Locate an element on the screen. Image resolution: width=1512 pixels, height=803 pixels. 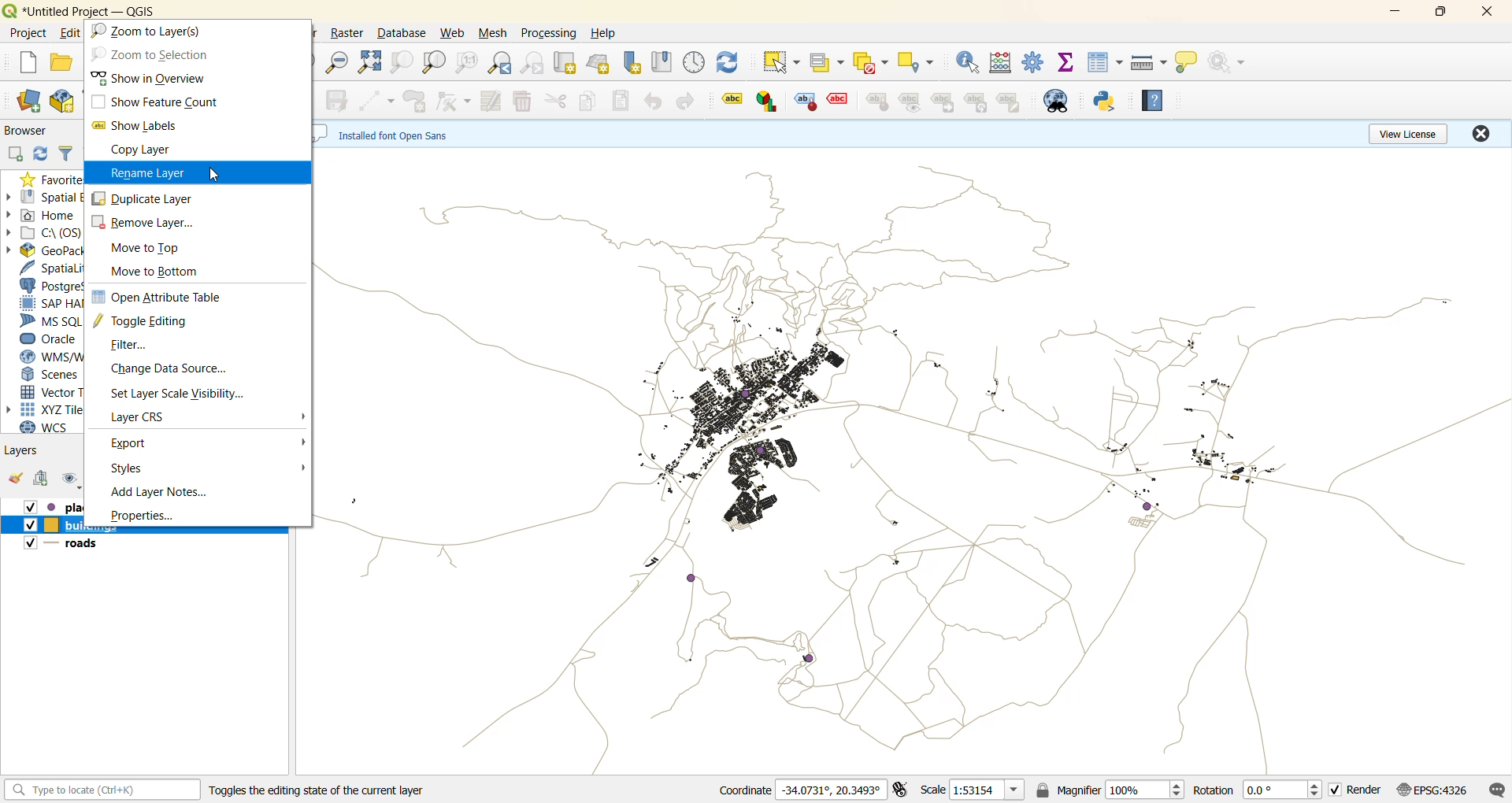
duplicate layer is located at coordinates (140, 198).